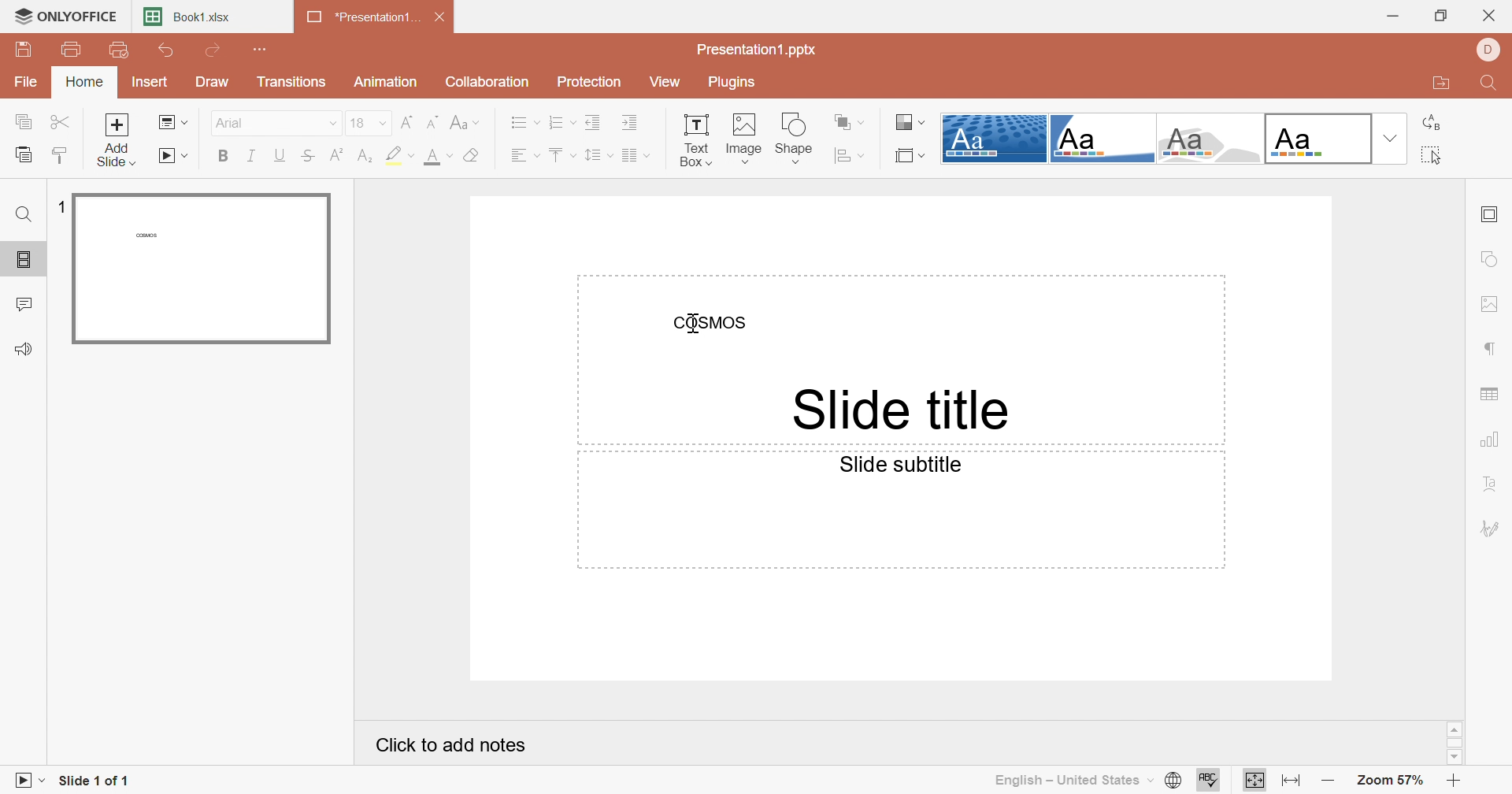 Image resolution: width=1512 pixels, height=794 pixels. What do you see at coordinates (434, 124) in the screenshot?
I see `Decrement font size` at bounding box center [434, 124].